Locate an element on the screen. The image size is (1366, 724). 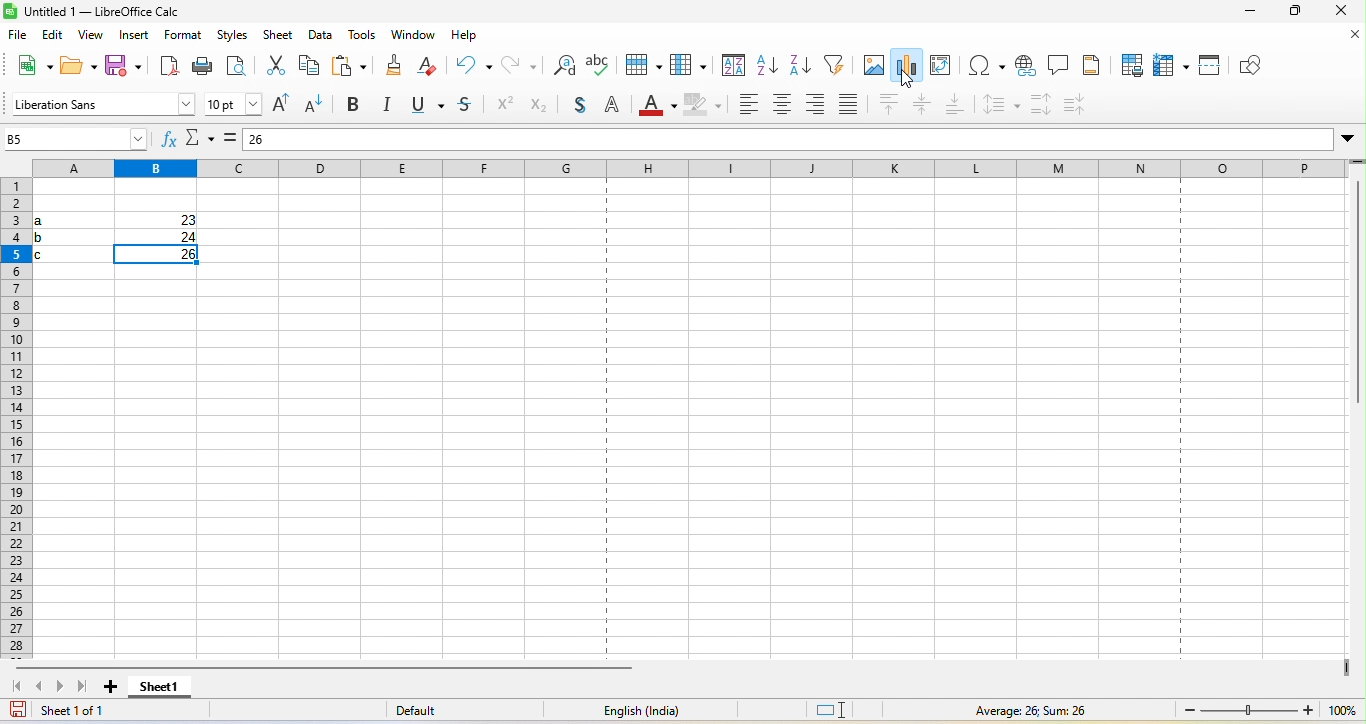
cut is located at coordinates (271, 68).